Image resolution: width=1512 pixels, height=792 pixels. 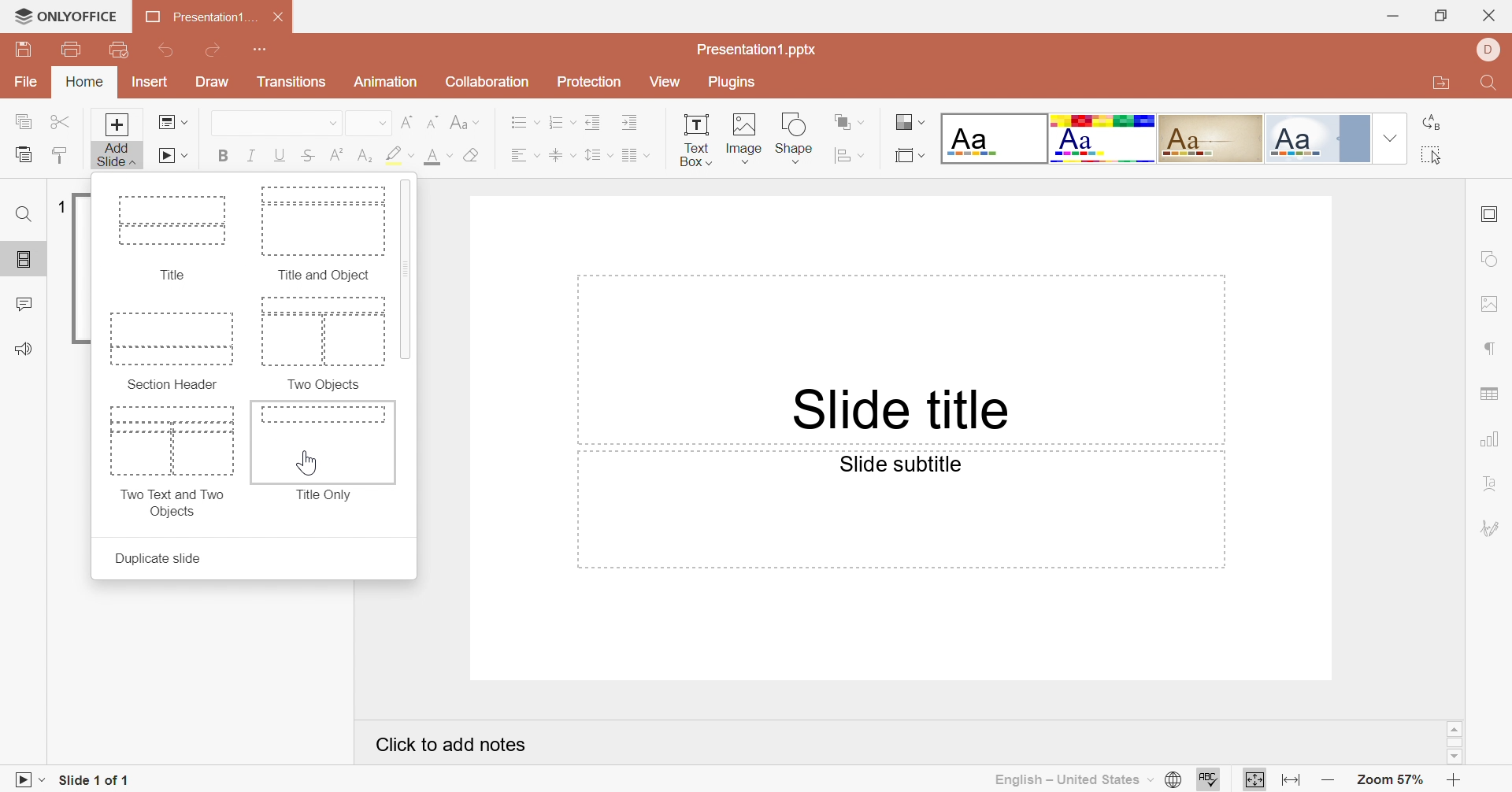 What do you see at coordinates (598, 154) in the screenshot?
I see `Line spacing` at bounding box center [598, 154].